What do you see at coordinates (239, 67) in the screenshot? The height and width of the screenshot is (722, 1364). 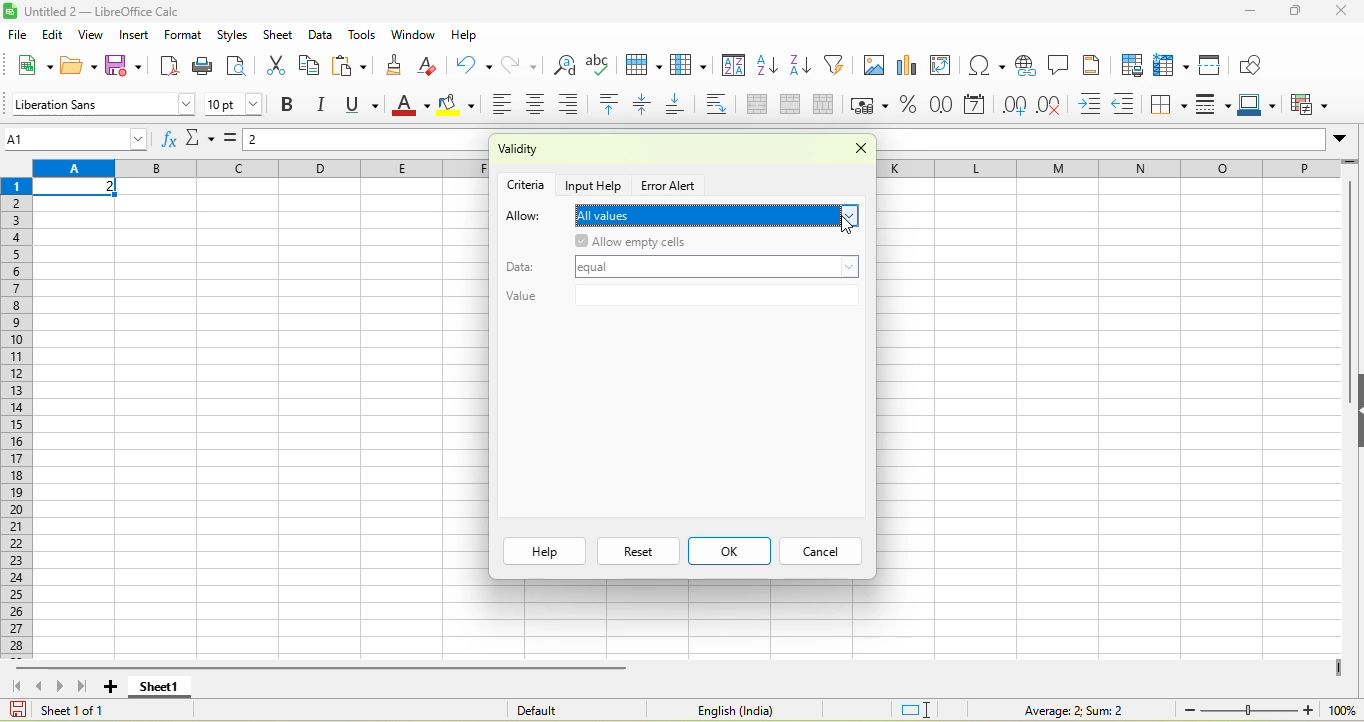 I see `print preview` at bounding box center [239, 67].